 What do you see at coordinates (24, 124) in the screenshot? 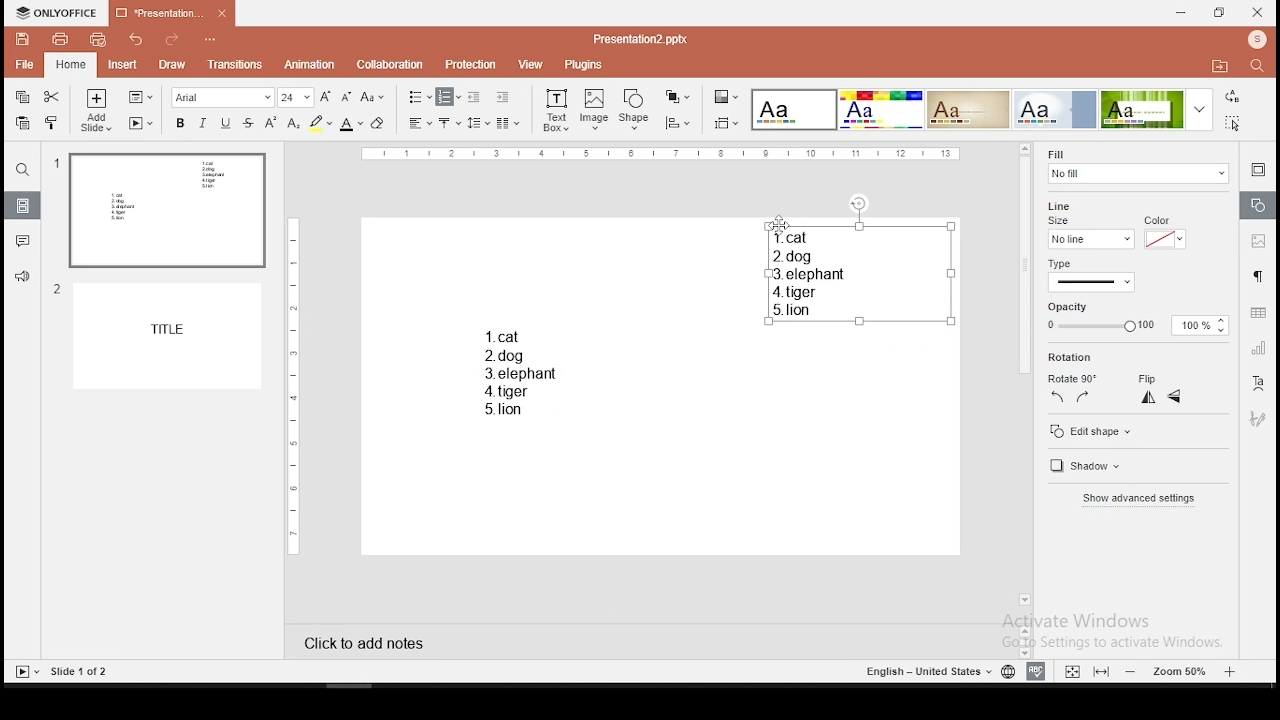
I see `paste` at bounding box center [24, 124].